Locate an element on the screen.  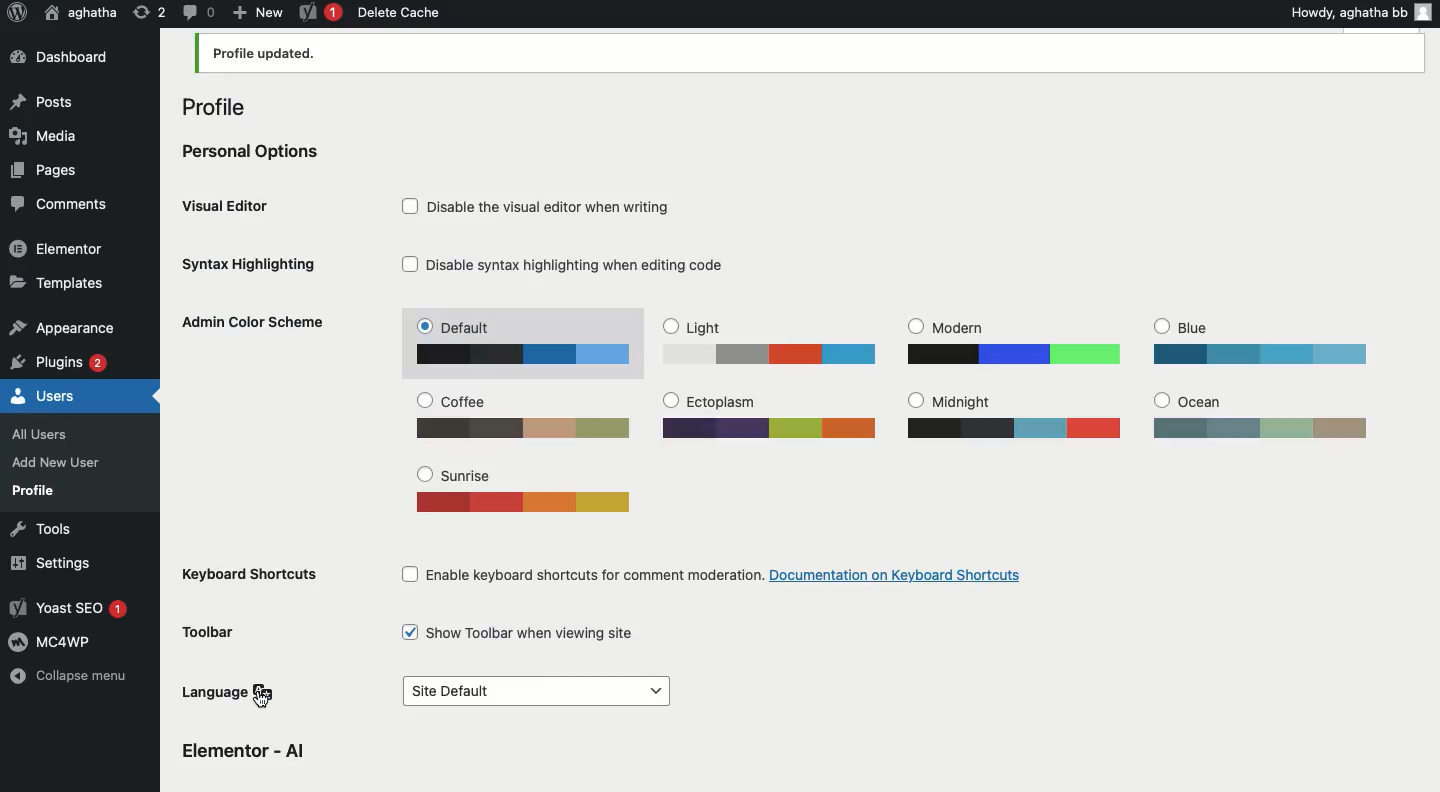
Revision is located at coordinates (150, 11).